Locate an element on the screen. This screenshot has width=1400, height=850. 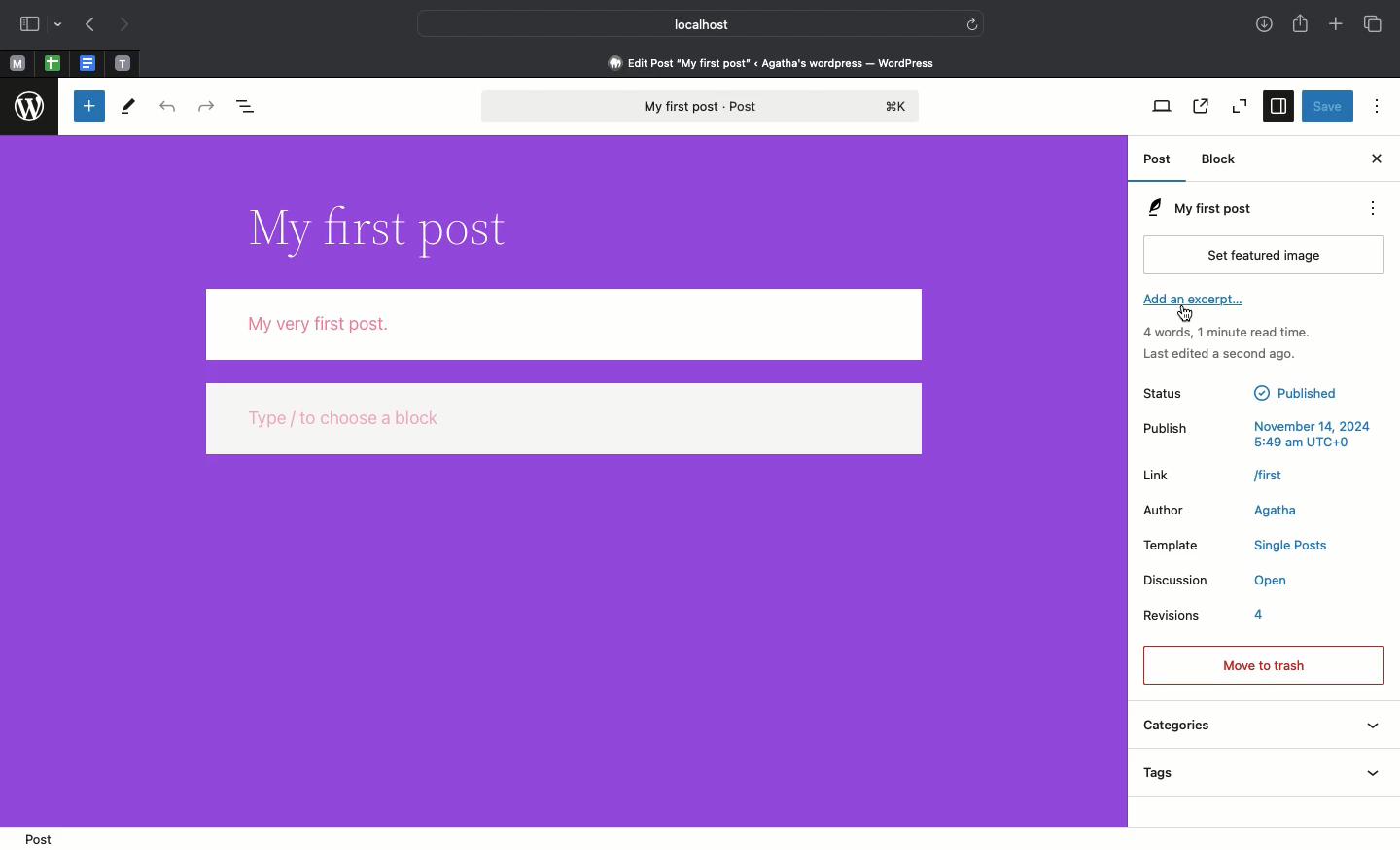
M tabs is located at coordinates (15, 62).